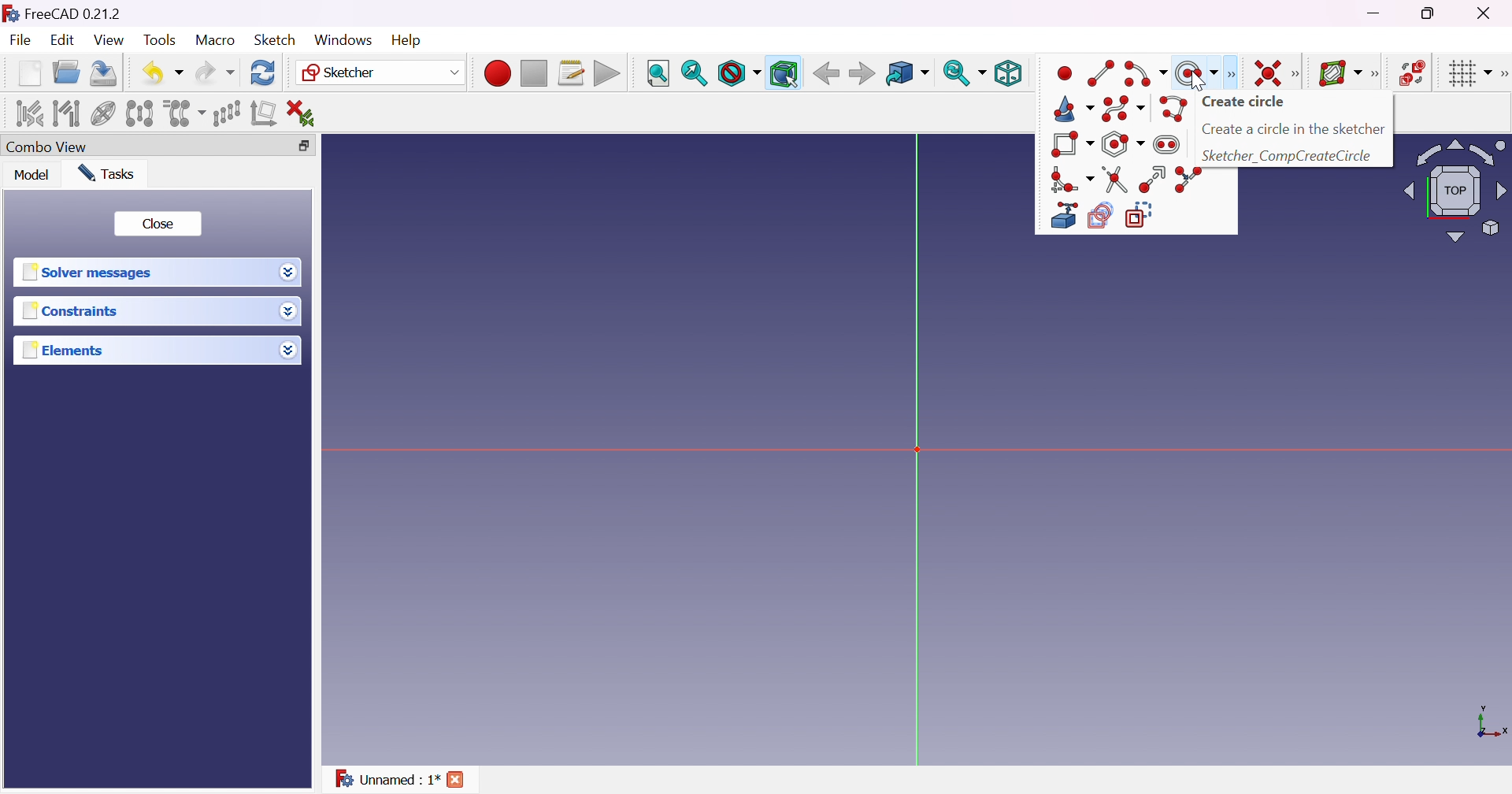 The height and width of the screenshot is (794, 1512). Describe the element at coordinates (497, 74) in the screenshot. I see `Macro recording...` at that location.